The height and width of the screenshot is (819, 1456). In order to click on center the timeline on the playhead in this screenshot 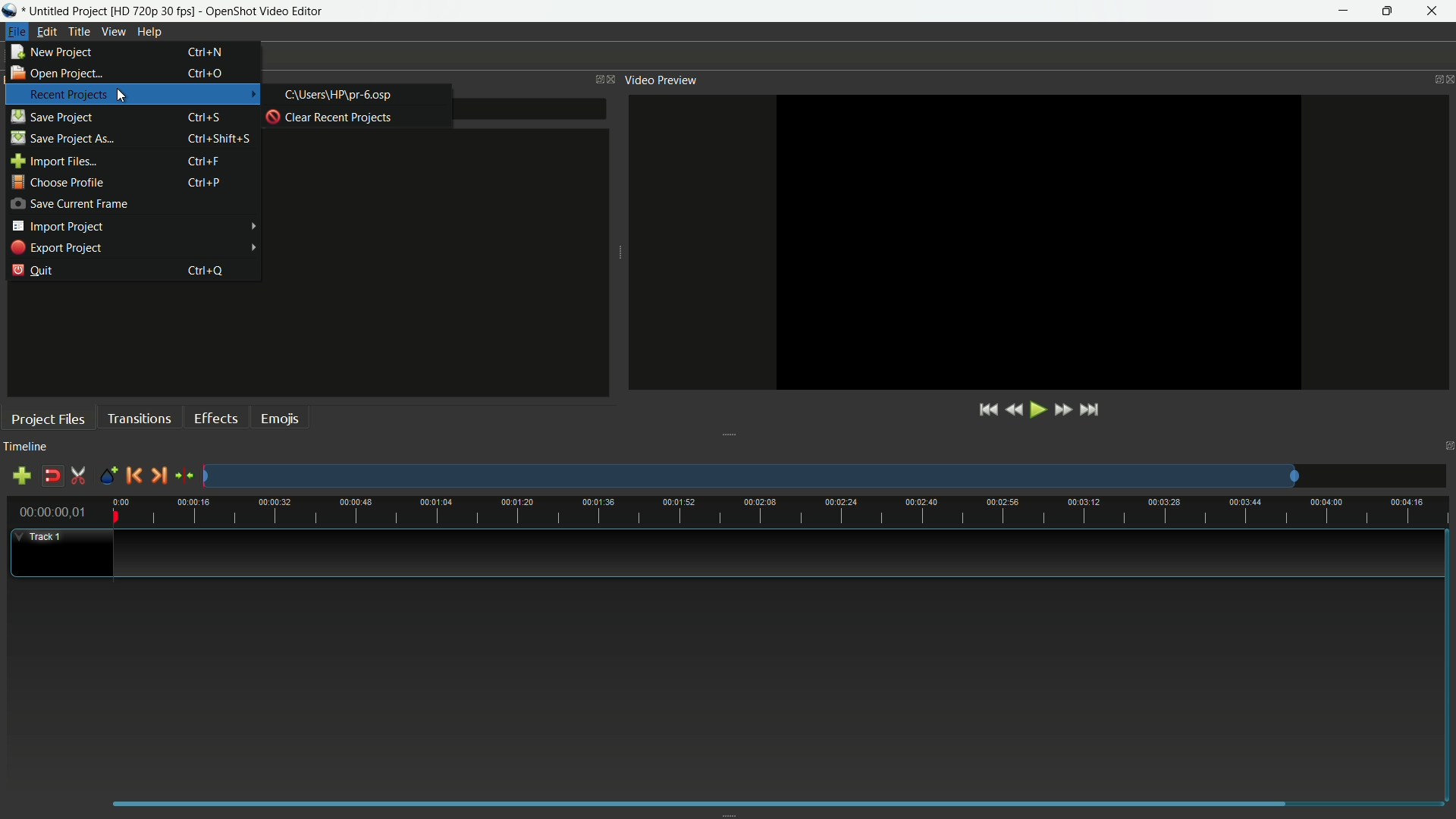, I will do `click(185, 475)`.